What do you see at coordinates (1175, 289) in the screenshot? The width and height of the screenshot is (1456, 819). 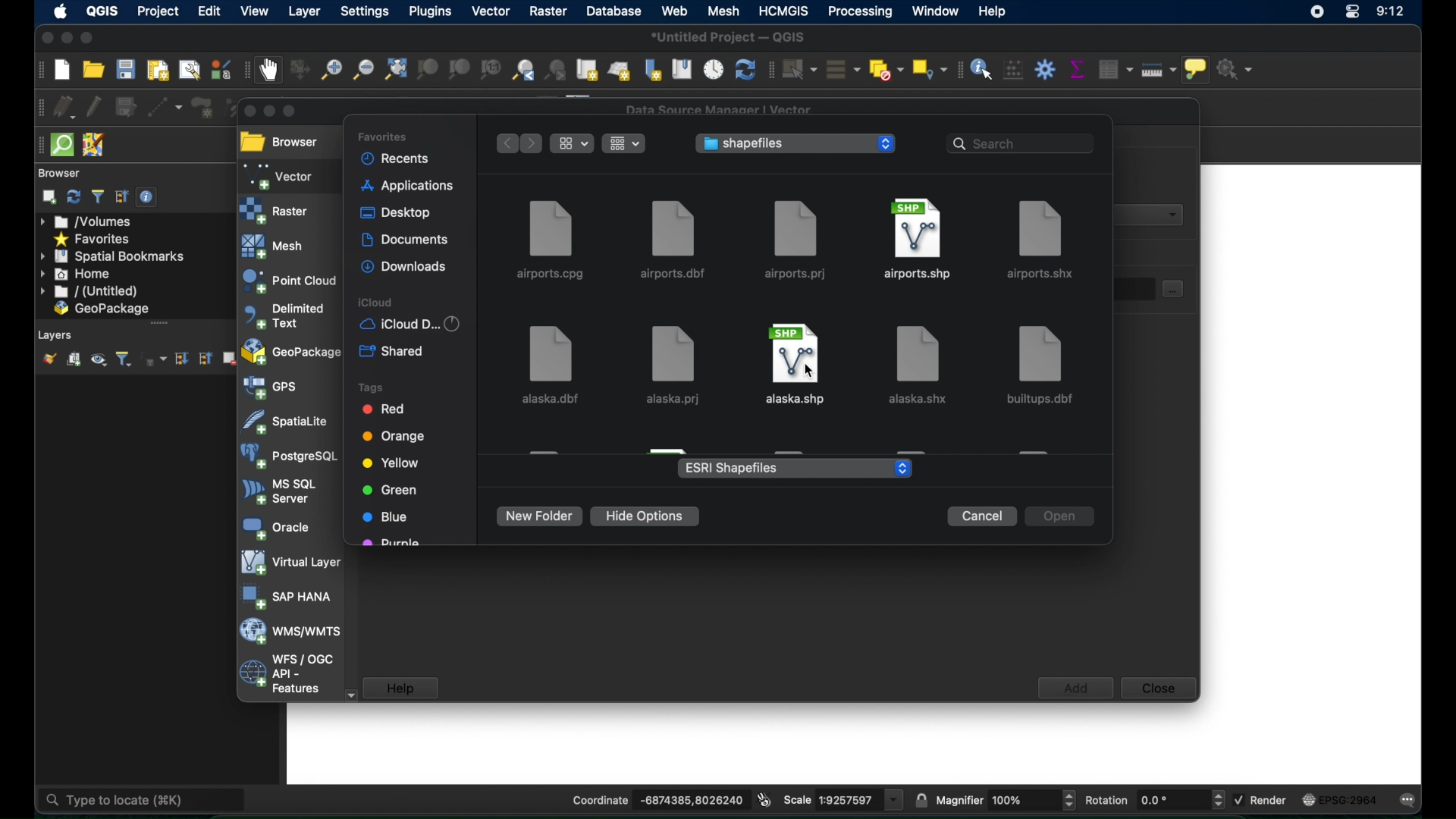 I see `select dataset button` at bounding box center [1175, 289].